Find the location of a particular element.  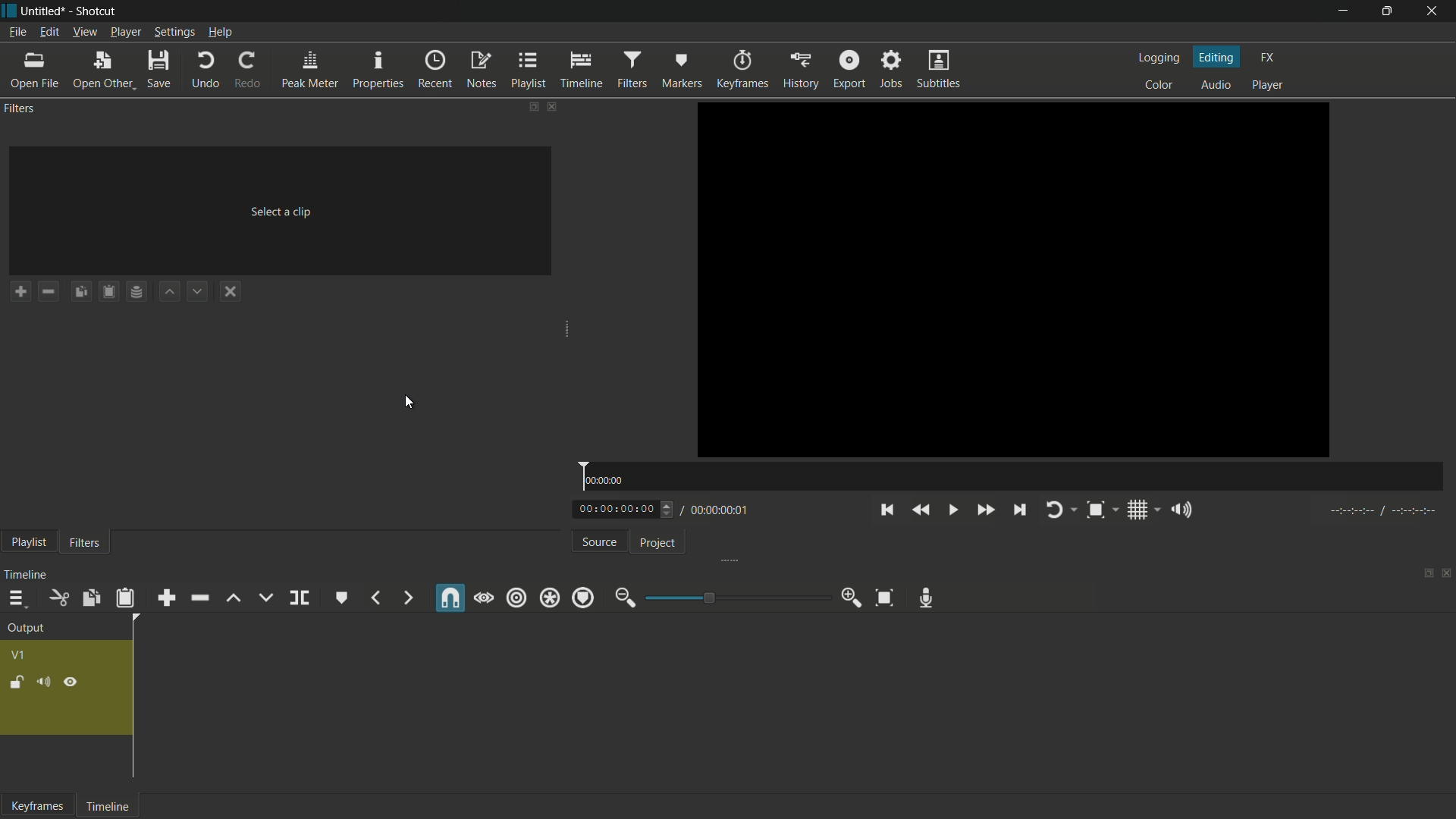

logging is located at coordinates (1159, 59).